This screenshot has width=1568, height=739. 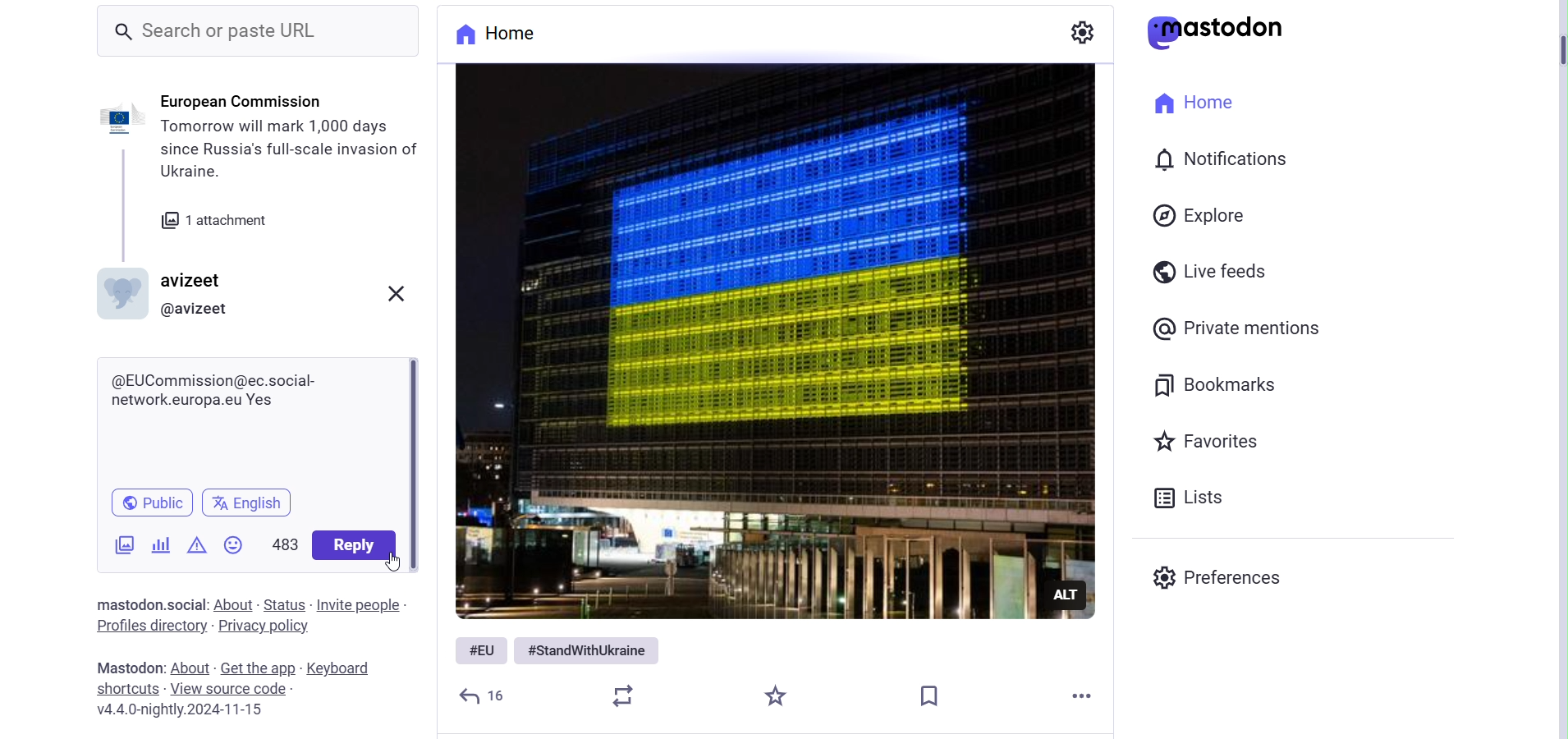 What do you see at coordinates (358, 606) in the screenshot?
I see `Invite People` at bounding box center [358, 606].